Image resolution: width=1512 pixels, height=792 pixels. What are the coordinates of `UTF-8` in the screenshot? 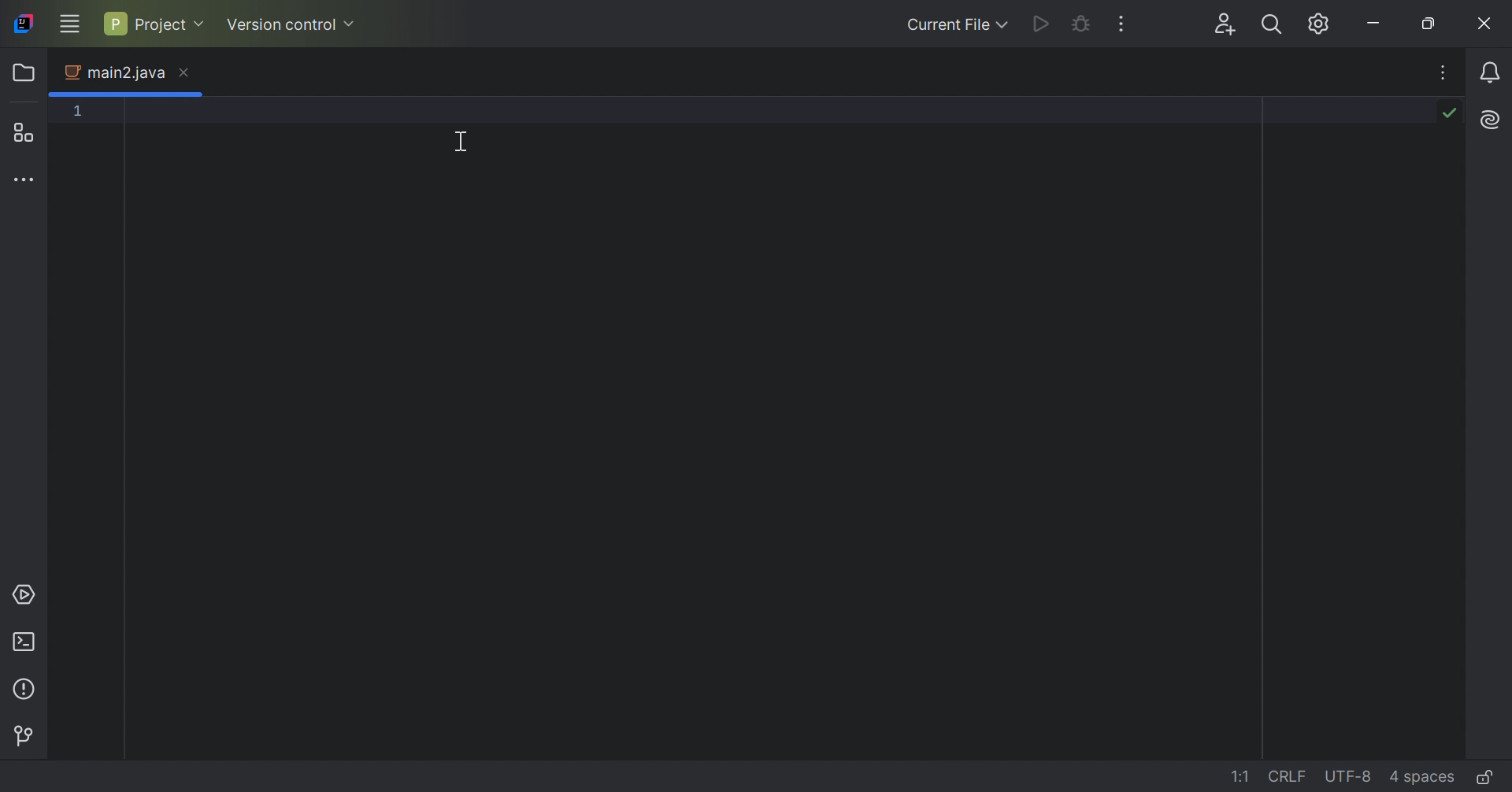 It's located at (1352, 776).